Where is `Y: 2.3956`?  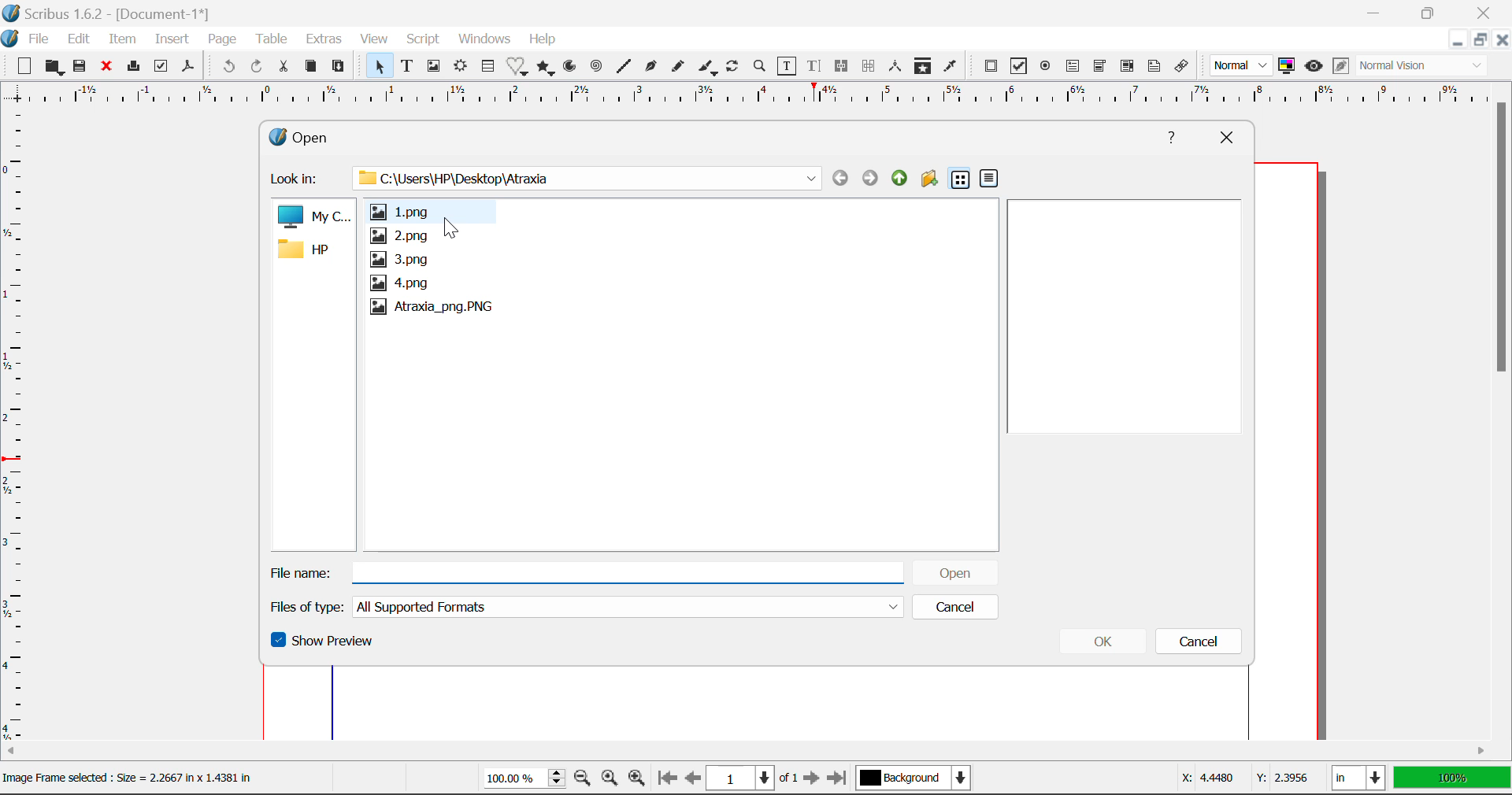 Y: 2.3956 is located at coordinates (1282, 778).